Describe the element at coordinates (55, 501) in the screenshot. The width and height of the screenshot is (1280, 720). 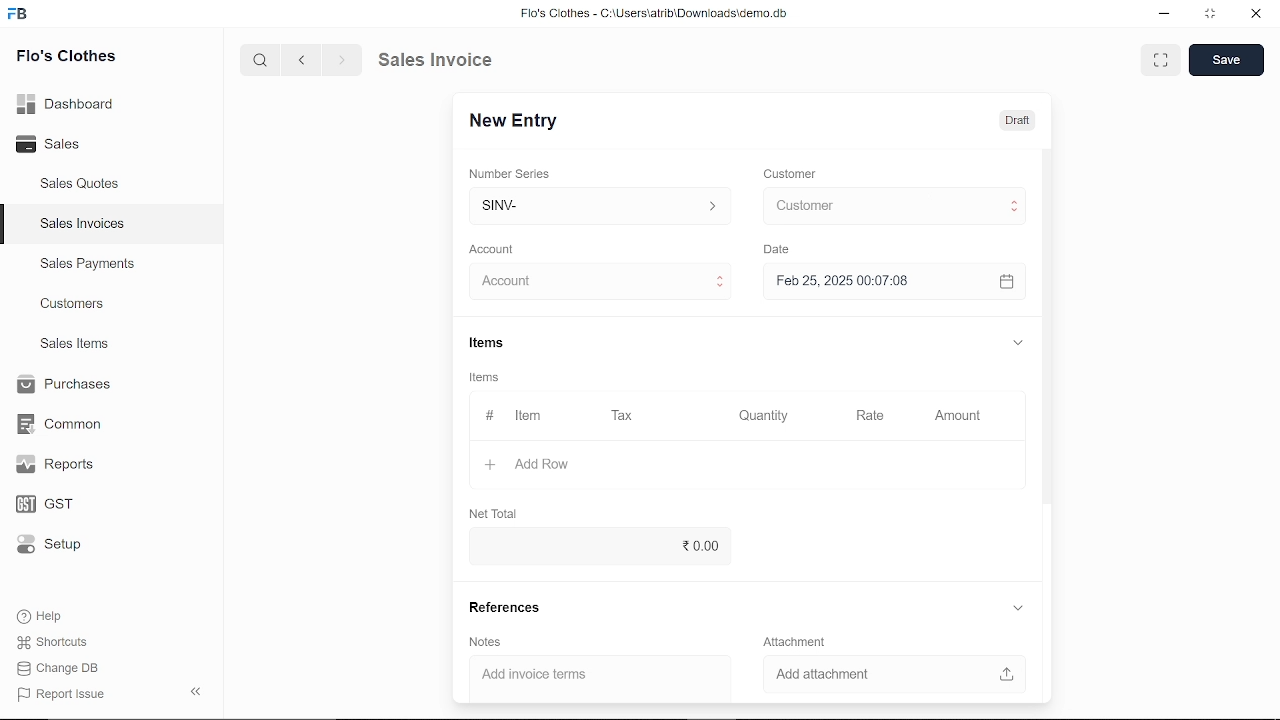
I see `GST` at that location.